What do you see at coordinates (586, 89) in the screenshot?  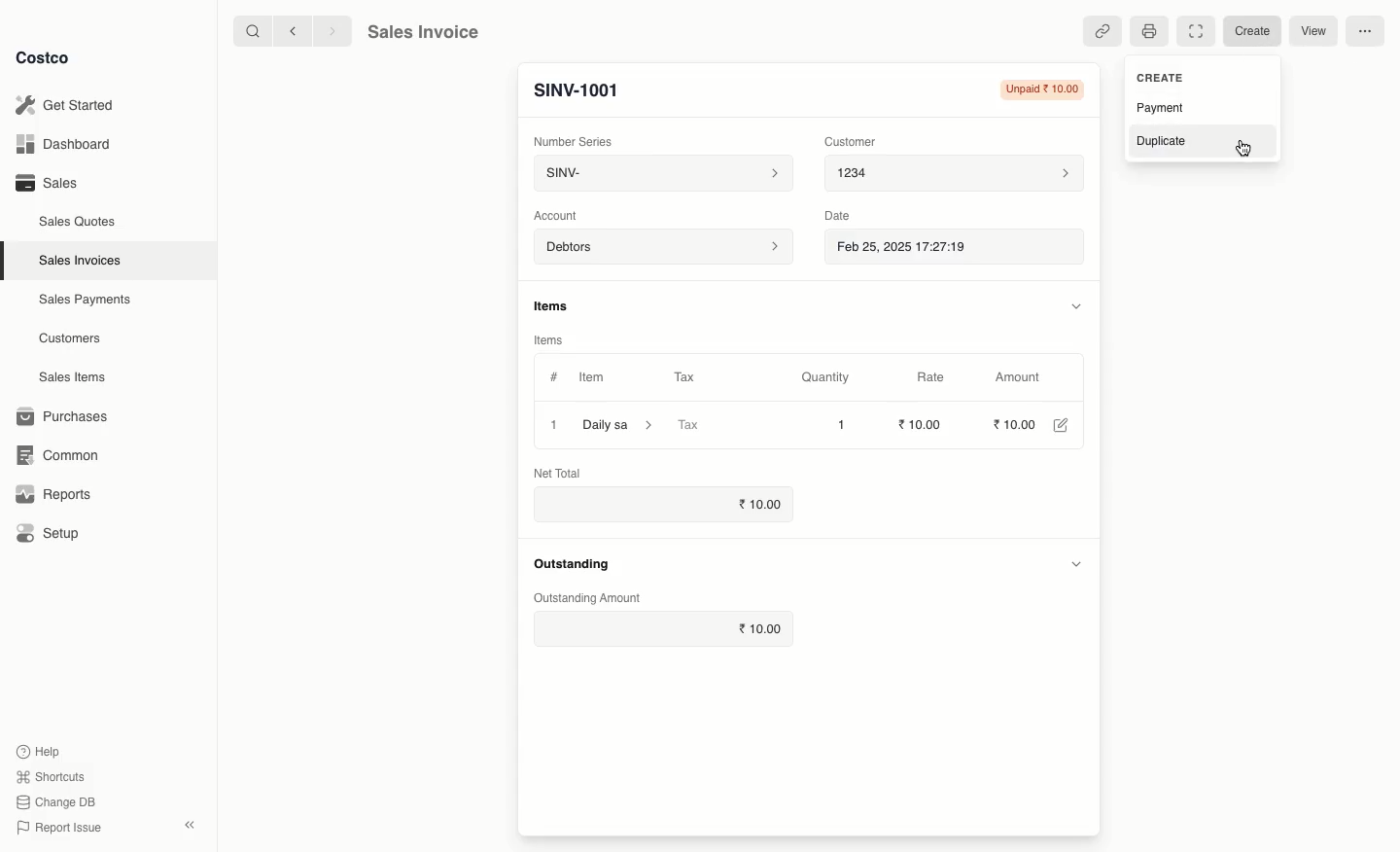 I see `SINV-1001` at bounding box center [586, 89].